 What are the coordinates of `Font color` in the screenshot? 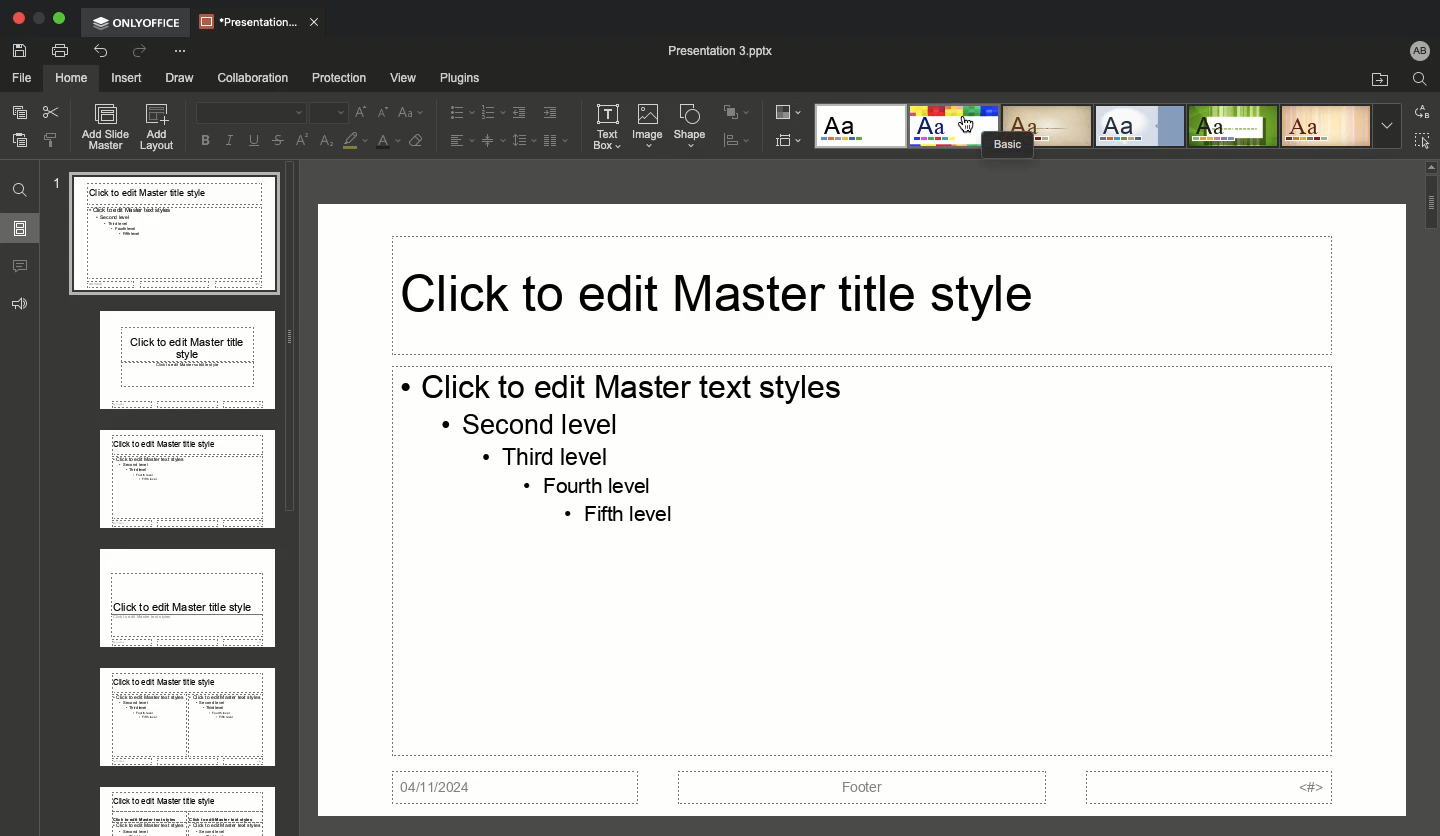 It's located at (385, 143).